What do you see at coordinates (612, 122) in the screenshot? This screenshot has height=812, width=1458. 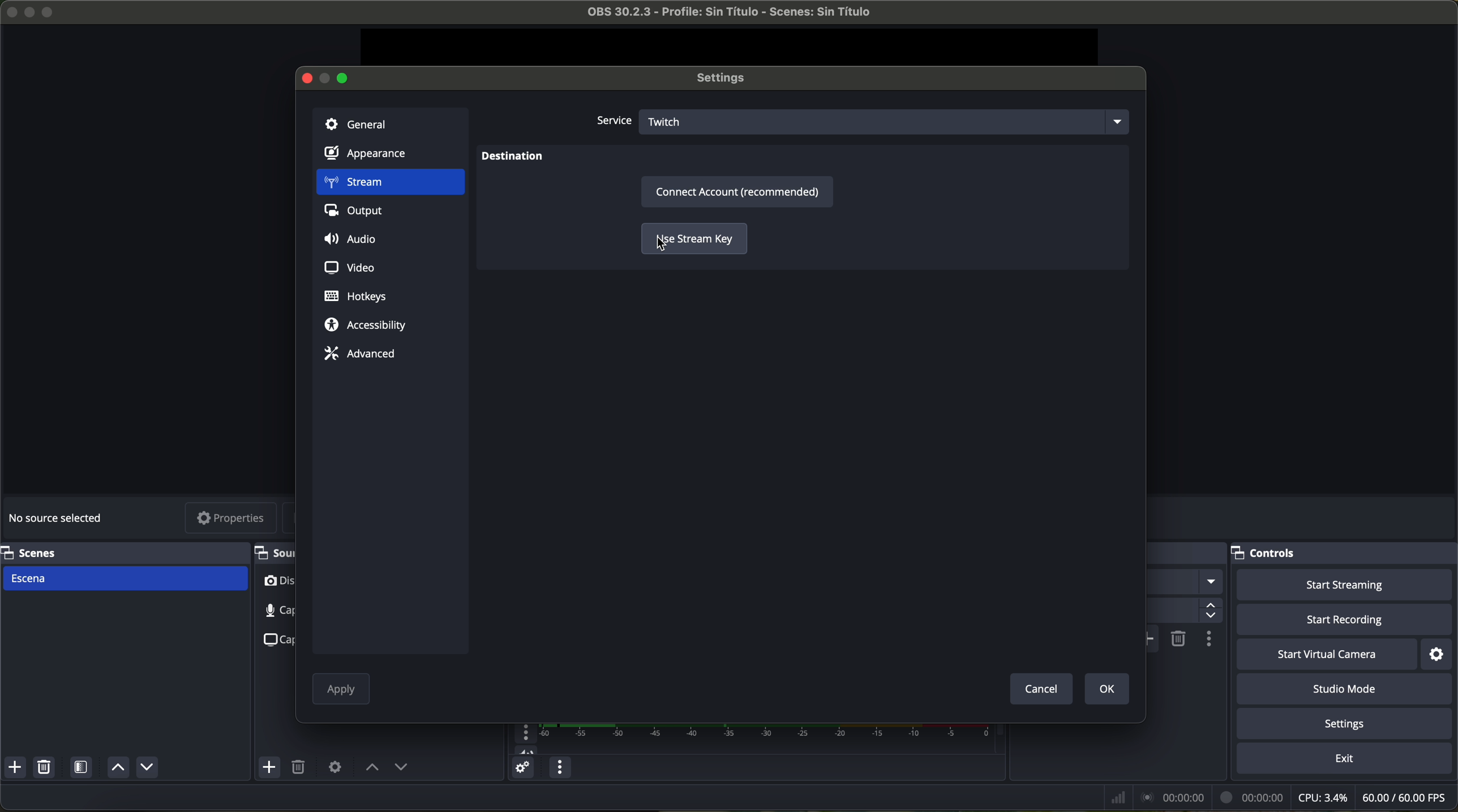 I see `service` at bounding box center [612, 122].